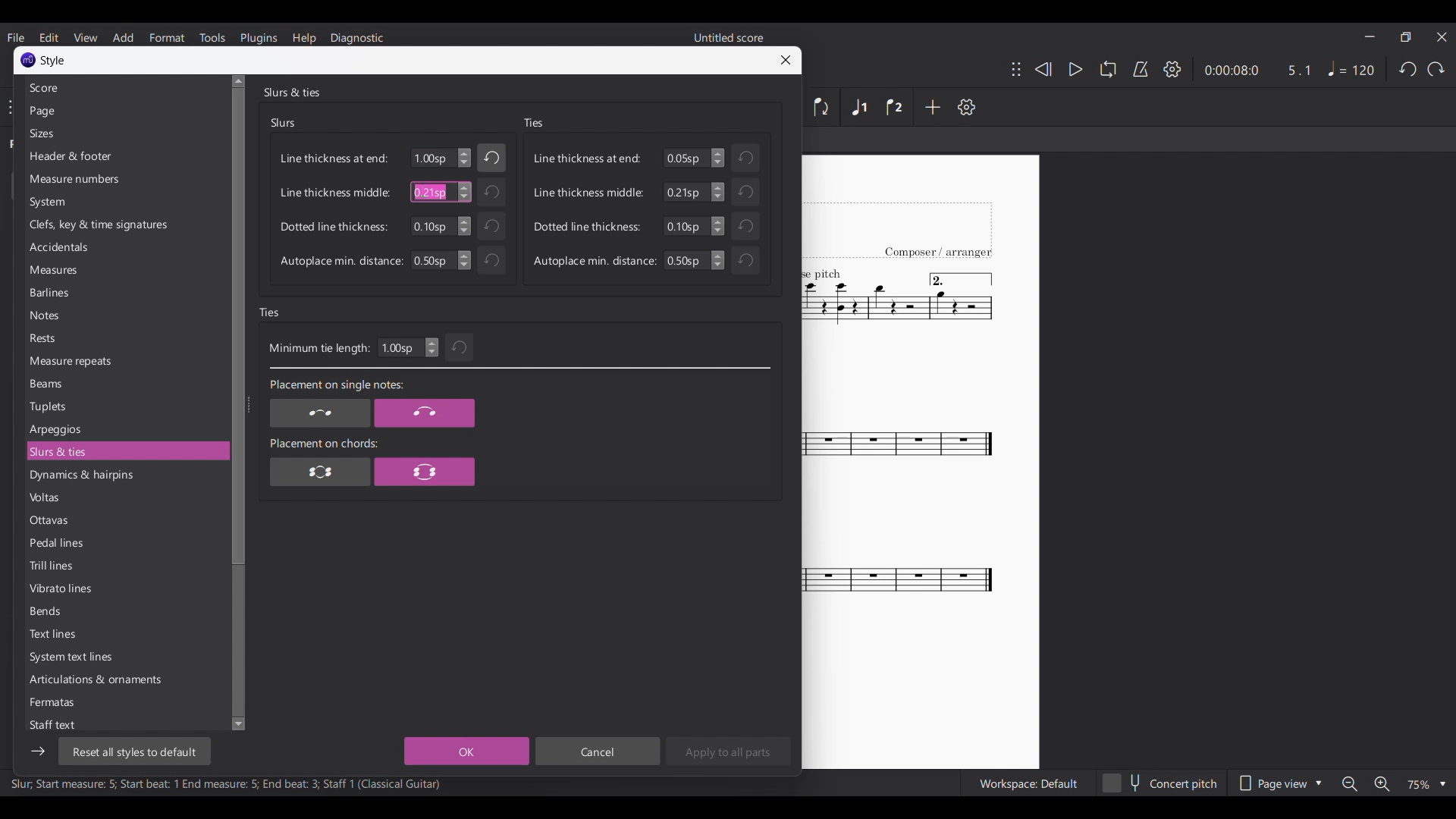  What do you see at coordinates (686, 192) in the screenshot?
I see `Input line thickness middle` at bounding box center [686, 192].